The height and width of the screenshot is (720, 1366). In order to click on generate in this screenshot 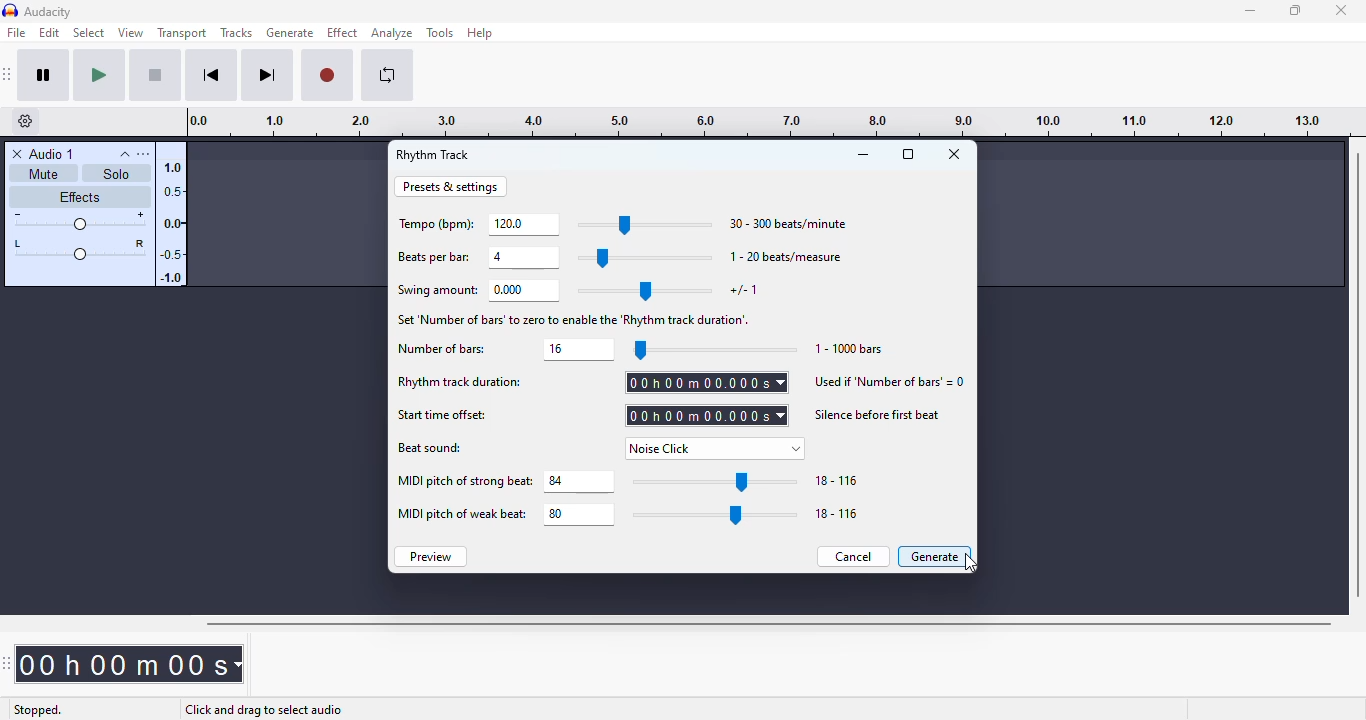, I will do `click(935, 557)`.